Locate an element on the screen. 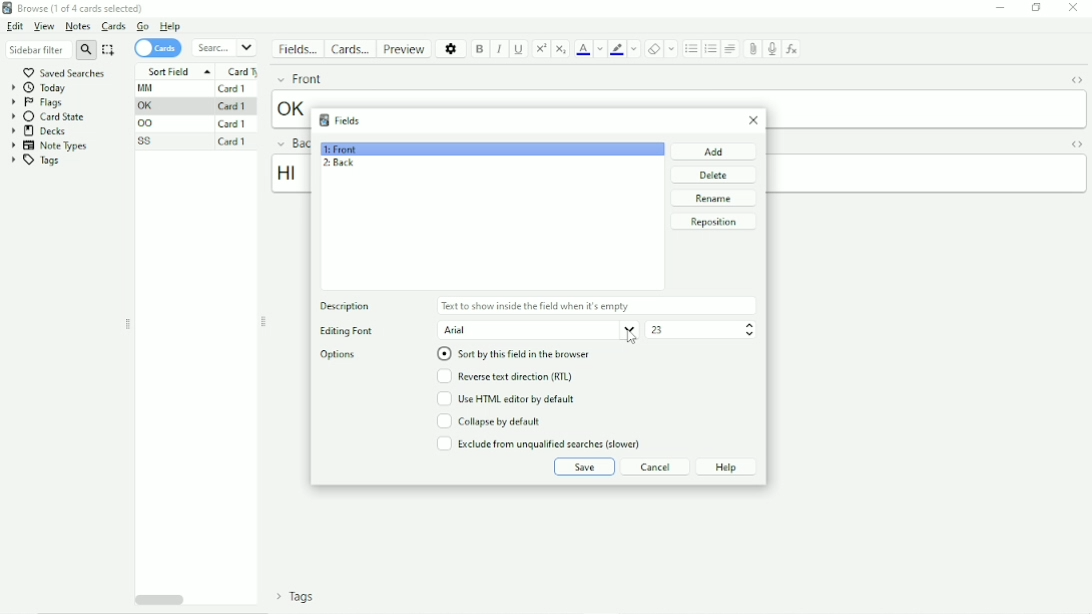  SS is located at coordinates (147, 141).